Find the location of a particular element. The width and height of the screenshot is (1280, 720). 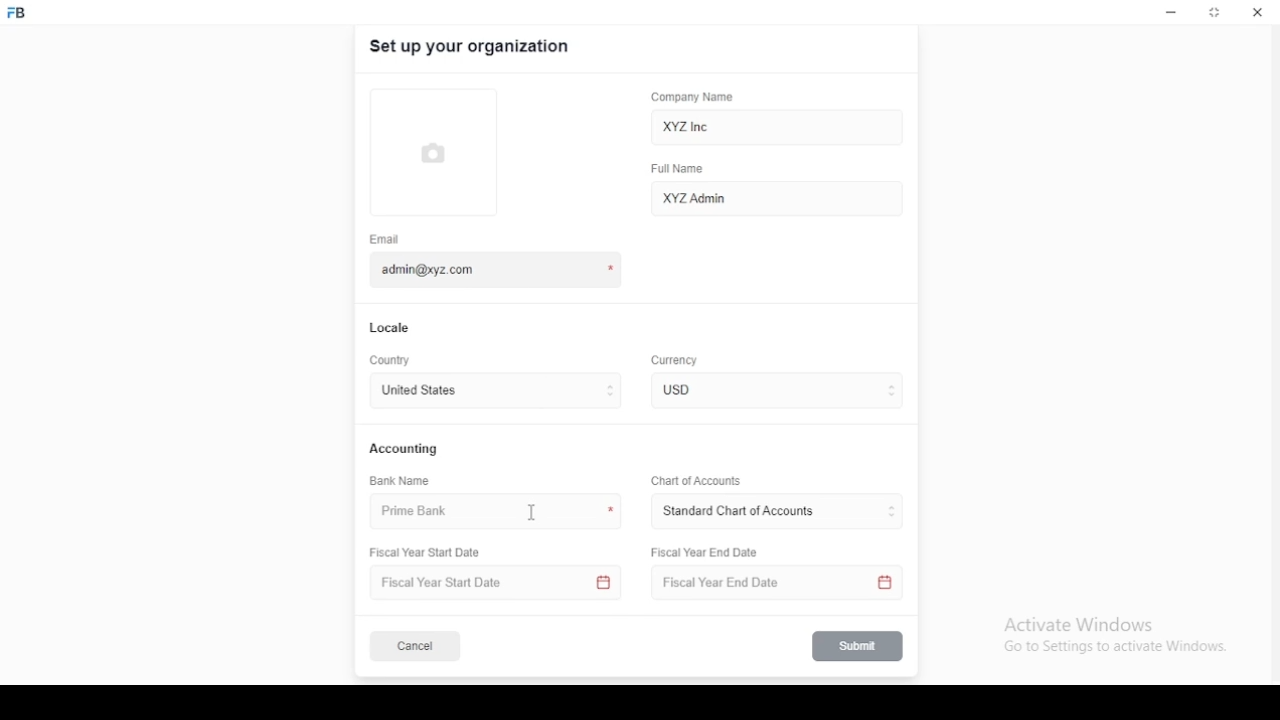

Currency is located at coordinates (675, 361).